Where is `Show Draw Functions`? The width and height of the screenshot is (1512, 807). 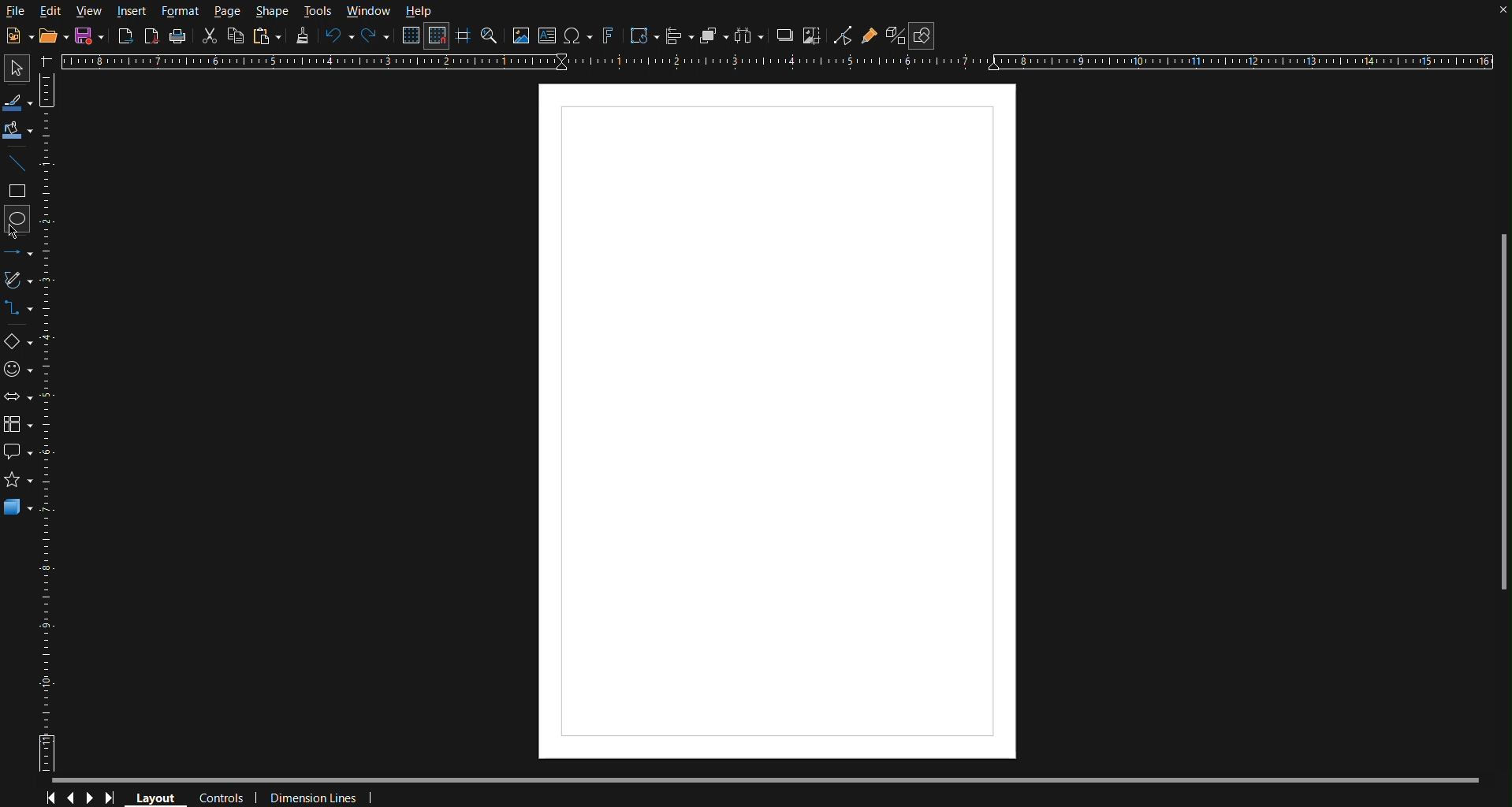
Show Draw Functions is located at coordinates (922, 36).